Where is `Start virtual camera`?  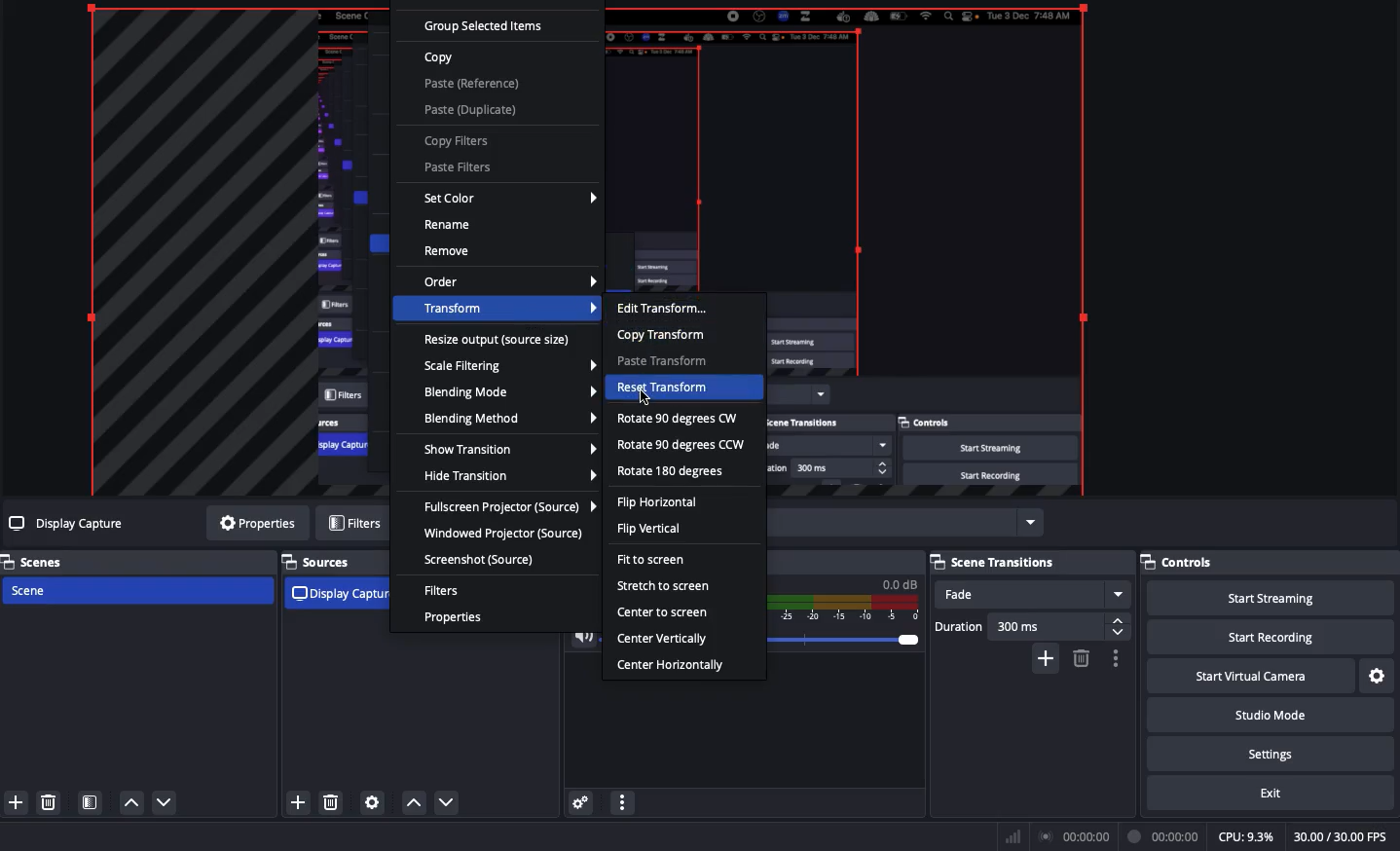 Start virtual camera is located at coordinates (1251, 677).